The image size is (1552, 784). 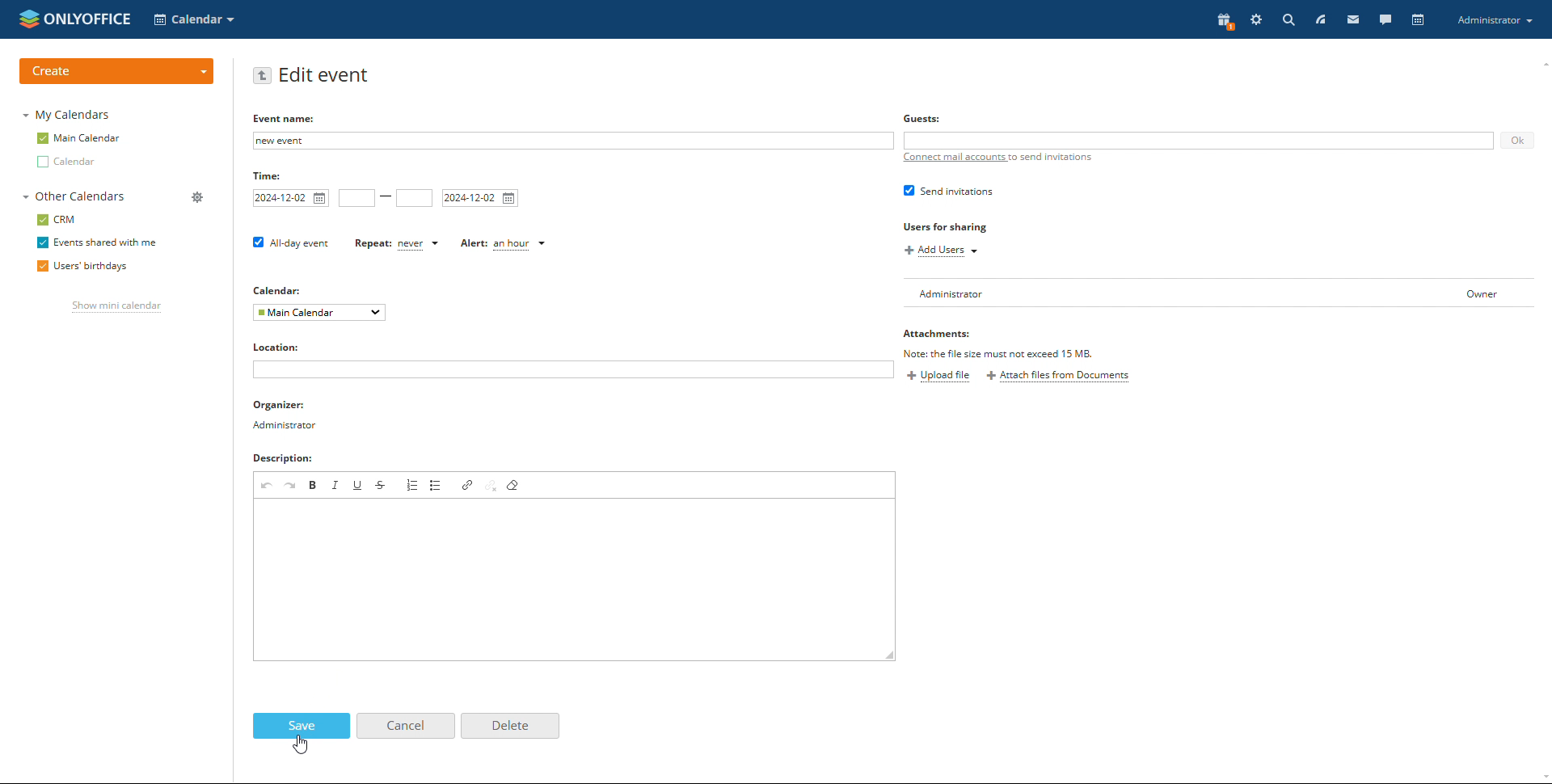 I want to click on chat, so click(x=1385, y=19).